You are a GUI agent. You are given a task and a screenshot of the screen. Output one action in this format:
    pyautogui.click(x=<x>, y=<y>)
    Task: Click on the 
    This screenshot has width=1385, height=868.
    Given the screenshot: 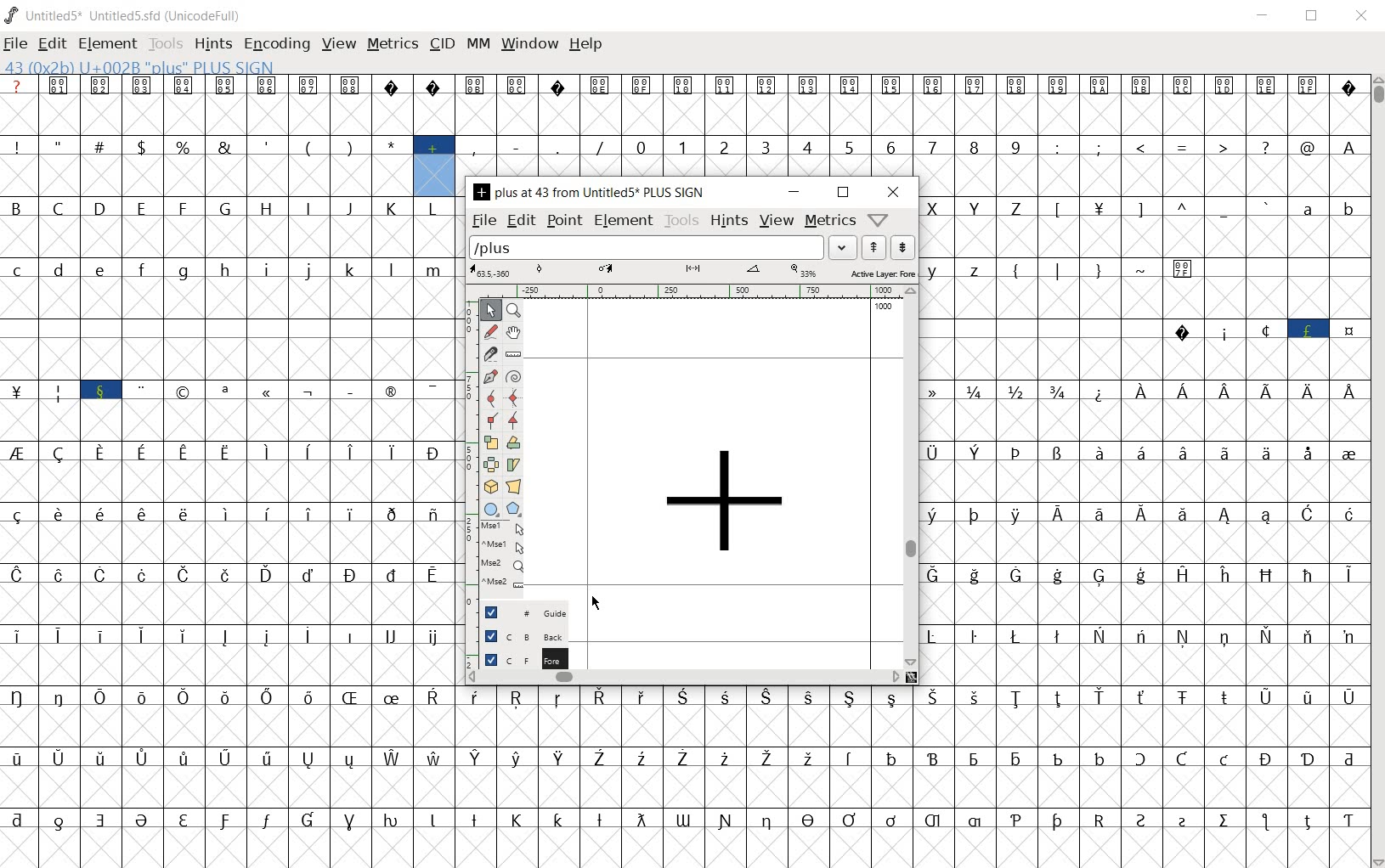 What is the action you would take?
    pyautogui.click(x=997, y=533)
    